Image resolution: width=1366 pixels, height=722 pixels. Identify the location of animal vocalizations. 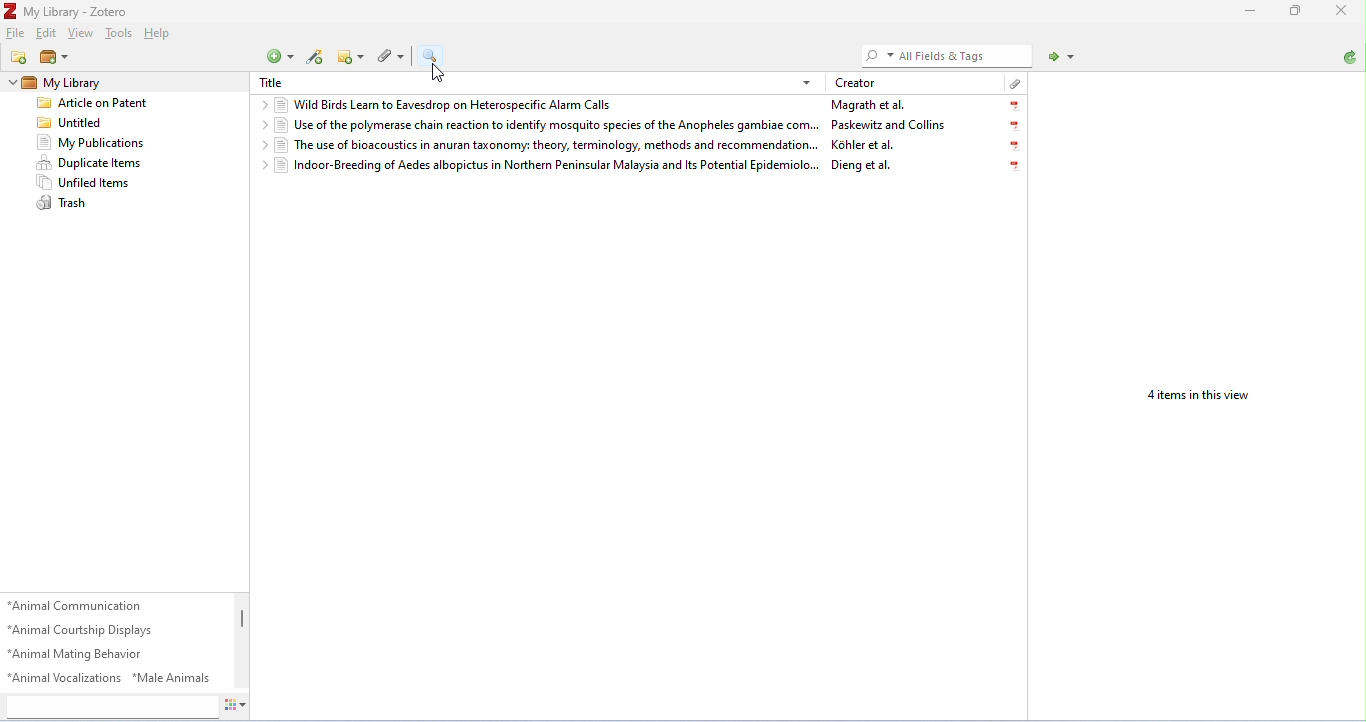
(65, 677).